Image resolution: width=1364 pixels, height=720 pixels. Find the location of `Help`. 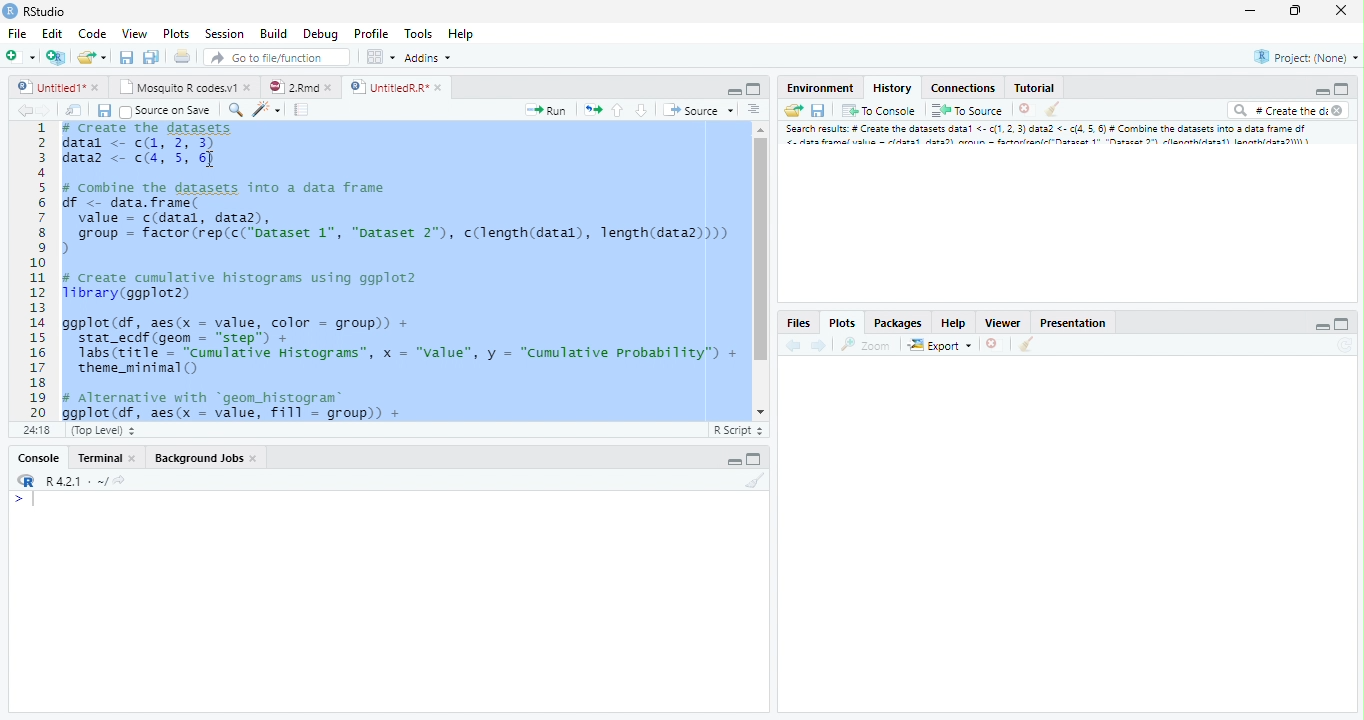

Help is located at coordinates (953, 322).